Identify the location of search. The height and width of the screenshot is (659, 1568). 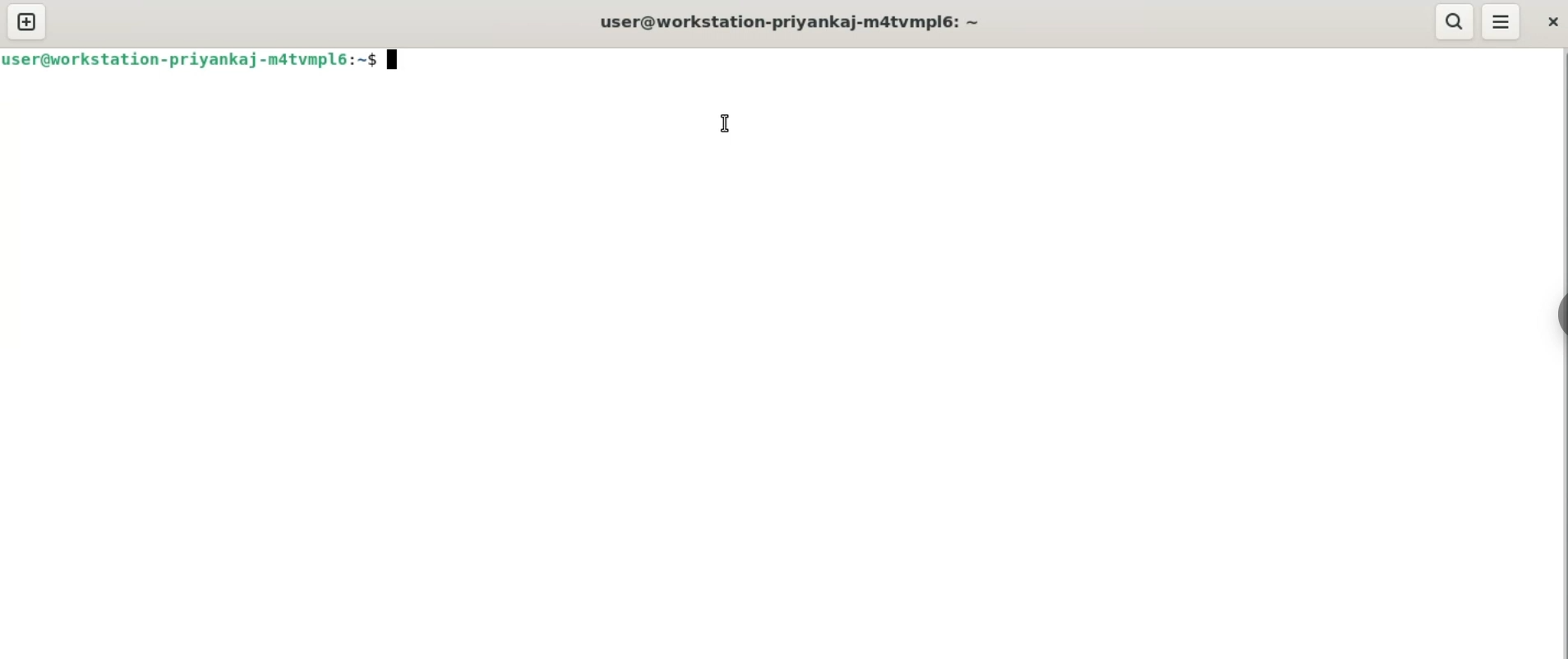
(1455, 21).